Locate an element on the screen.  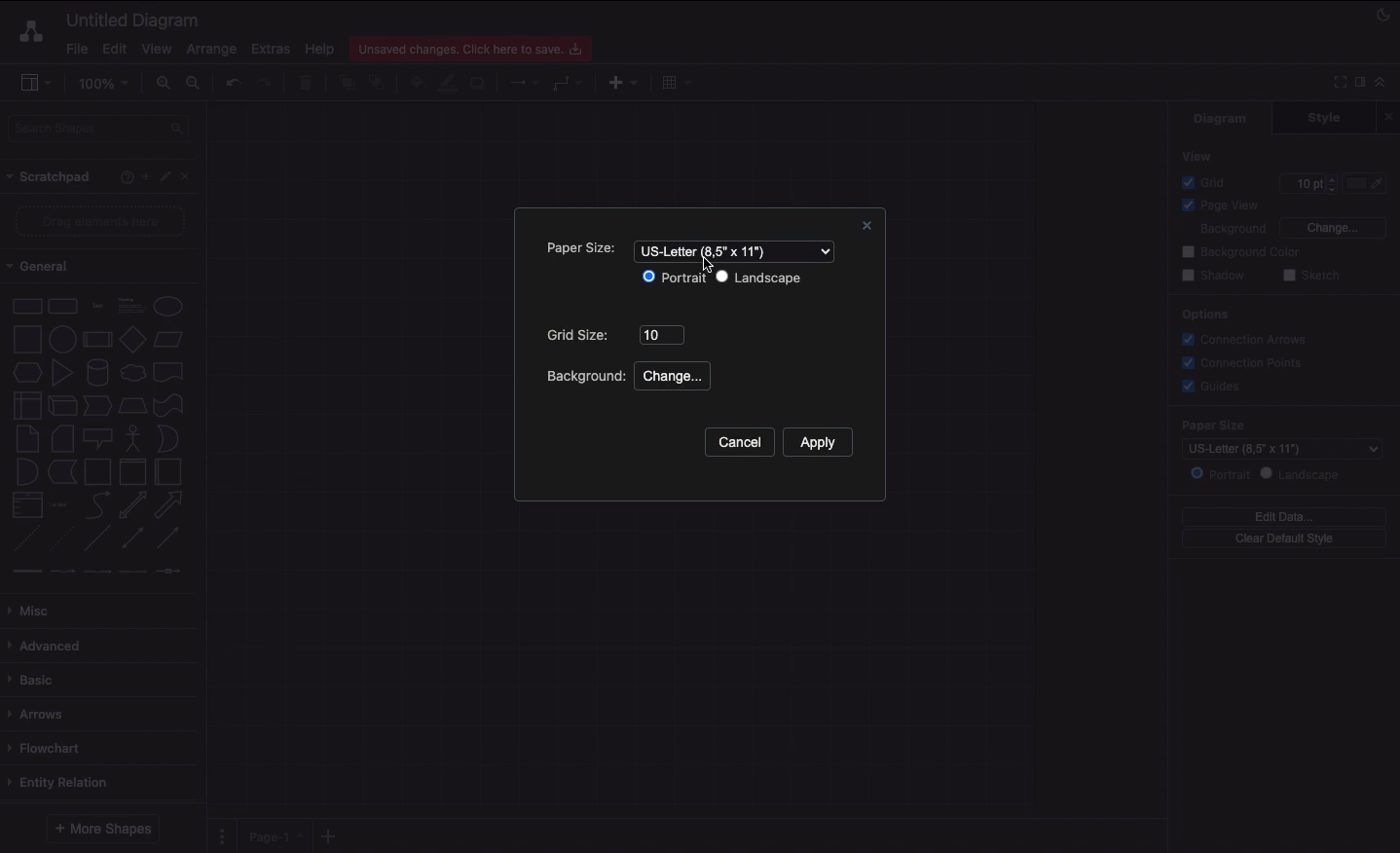
Zoom in is located at coordinates (163, 84).